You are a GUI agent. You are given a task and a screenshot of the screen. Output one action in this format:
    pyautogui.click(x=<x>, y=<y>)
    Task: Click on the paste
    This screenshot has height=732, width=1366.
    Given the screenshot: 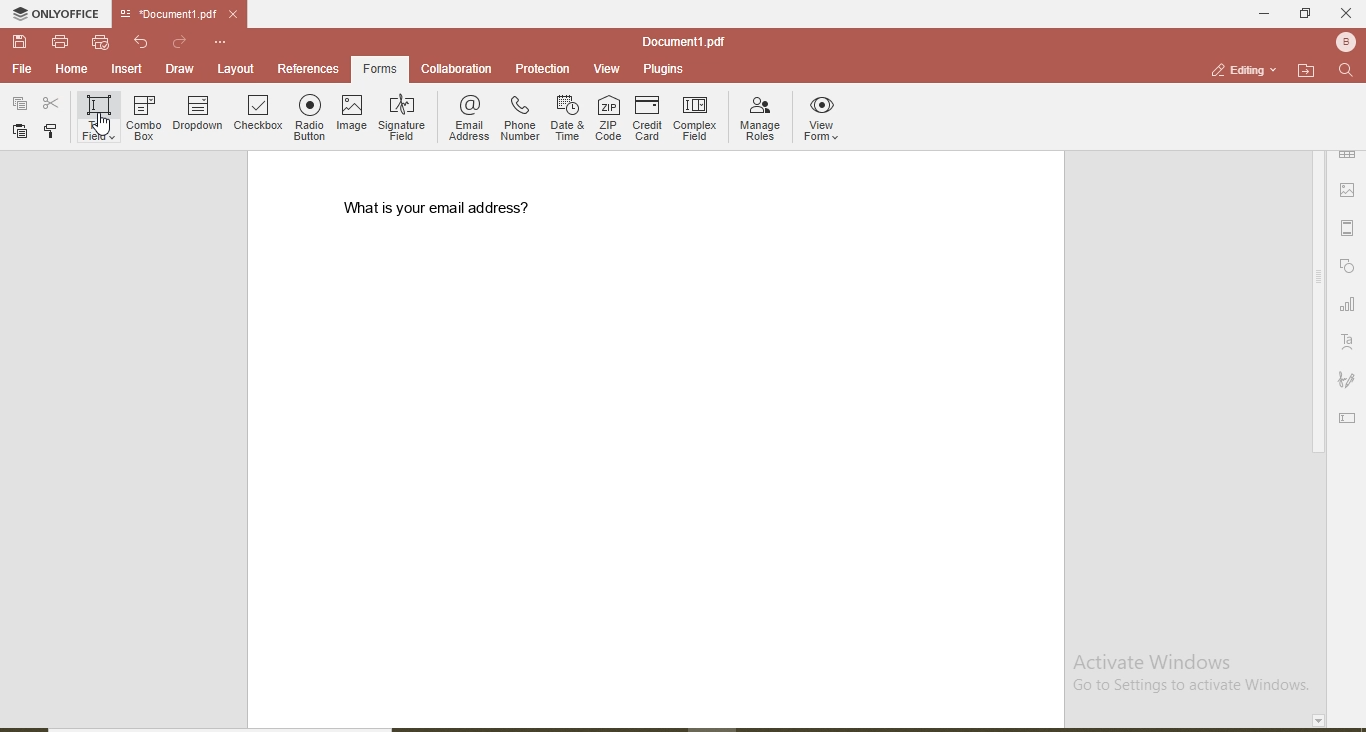 What is the action you would take?
    pyautogui.click(x=19, y=131)
    